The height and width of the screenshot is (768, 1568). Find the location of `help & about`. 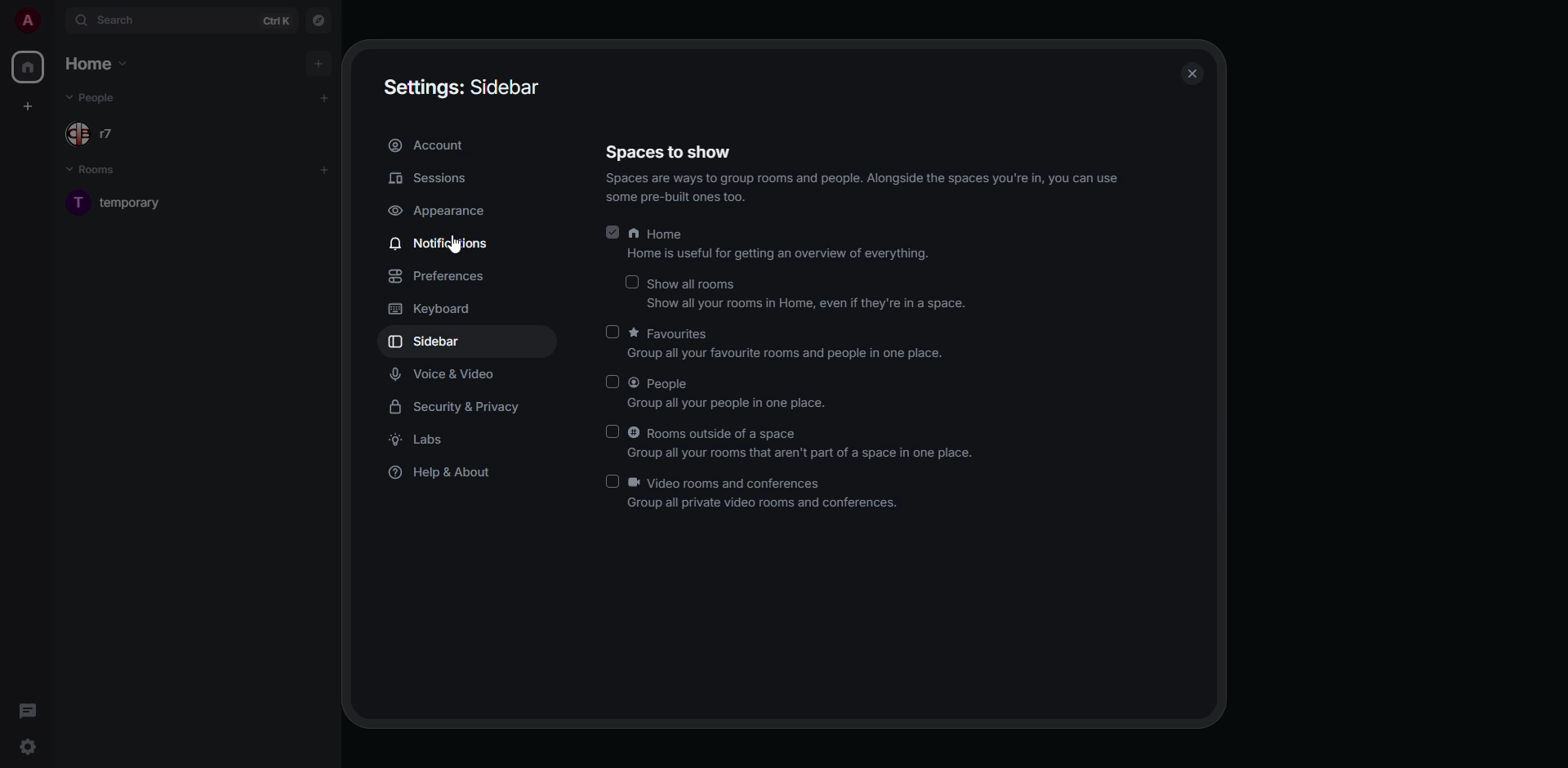

help & about is located at coordinates (447, 476).